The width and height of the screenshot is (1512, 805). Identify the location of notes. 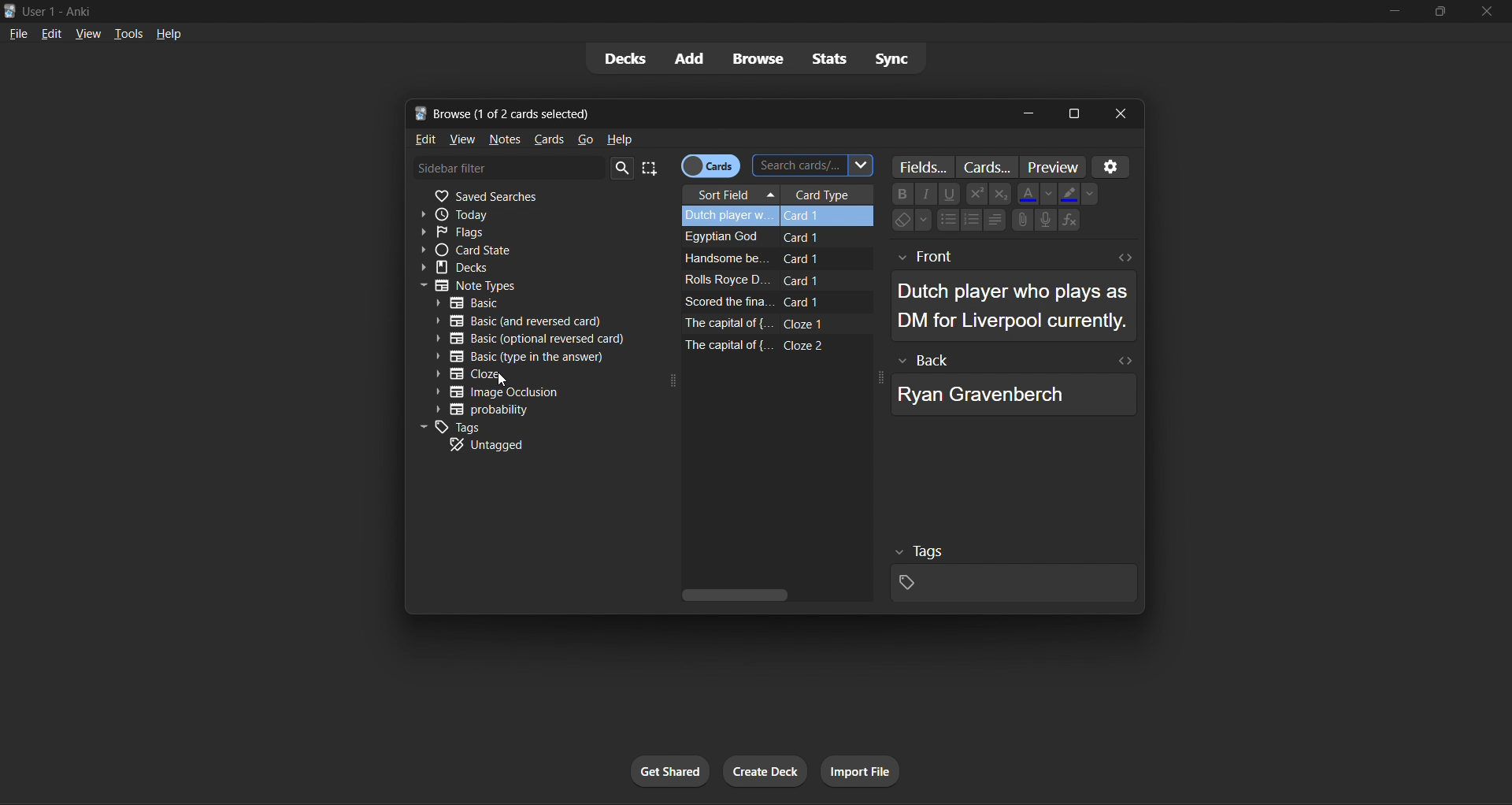
(502, 139).